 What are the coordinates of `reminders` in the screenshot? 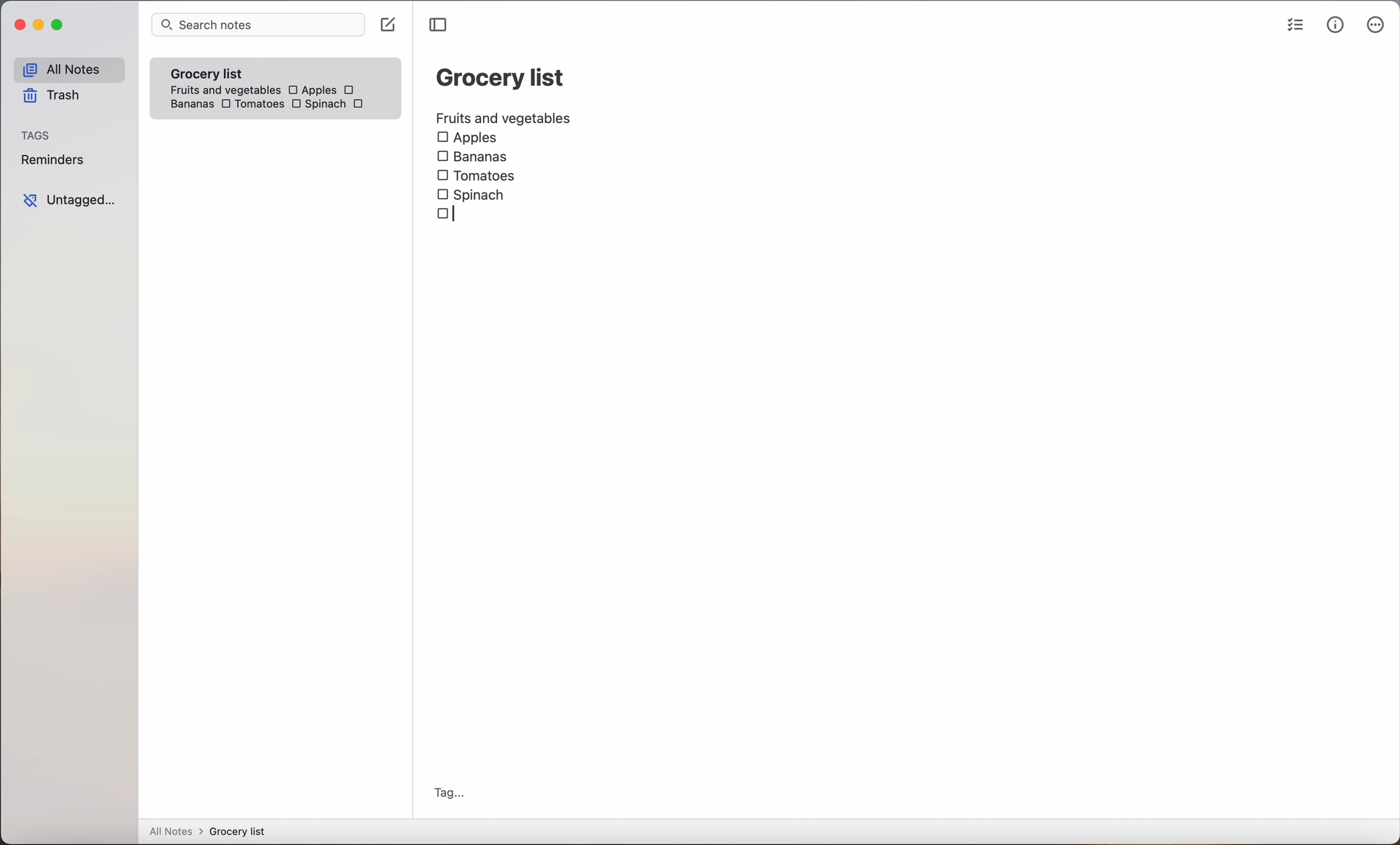 It's located at (52, 162).